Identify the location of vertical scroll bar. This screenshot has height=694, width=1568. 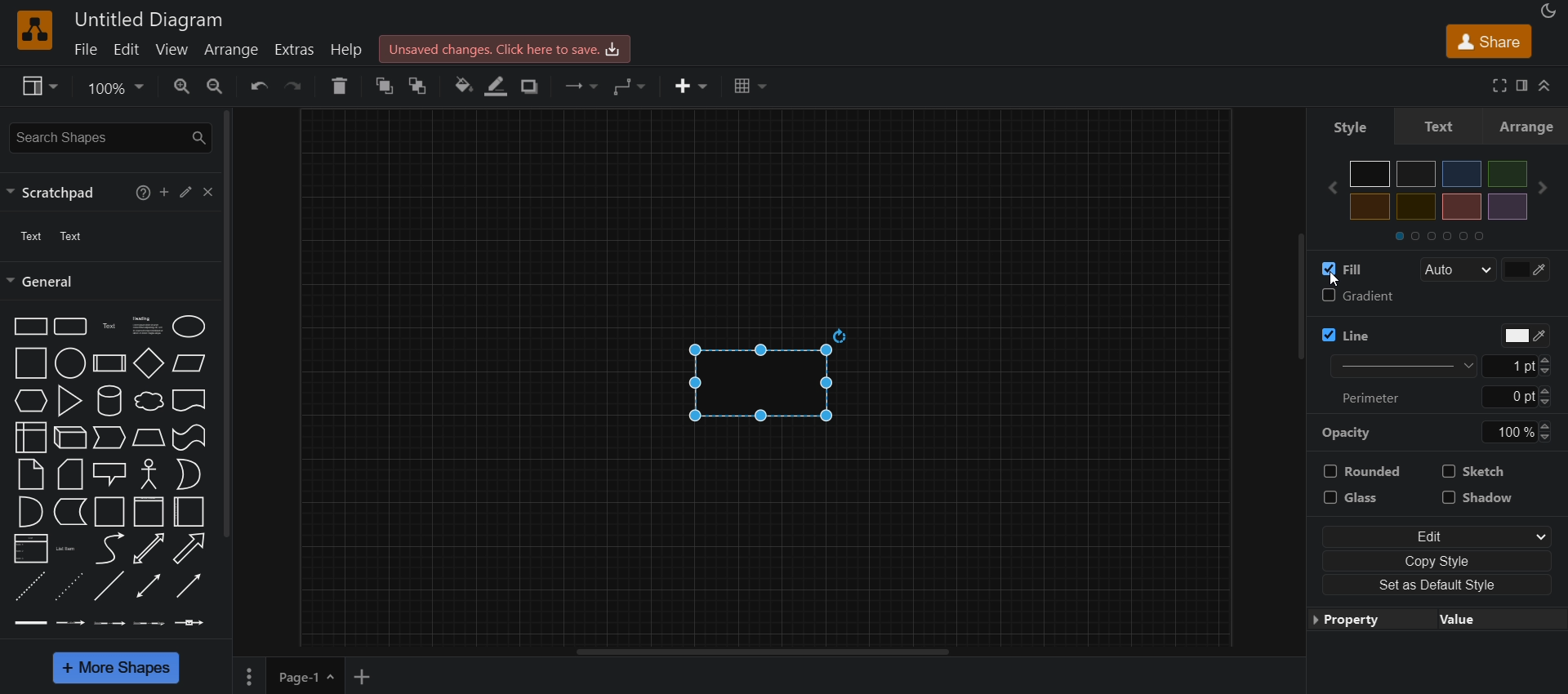
(1299, 300).